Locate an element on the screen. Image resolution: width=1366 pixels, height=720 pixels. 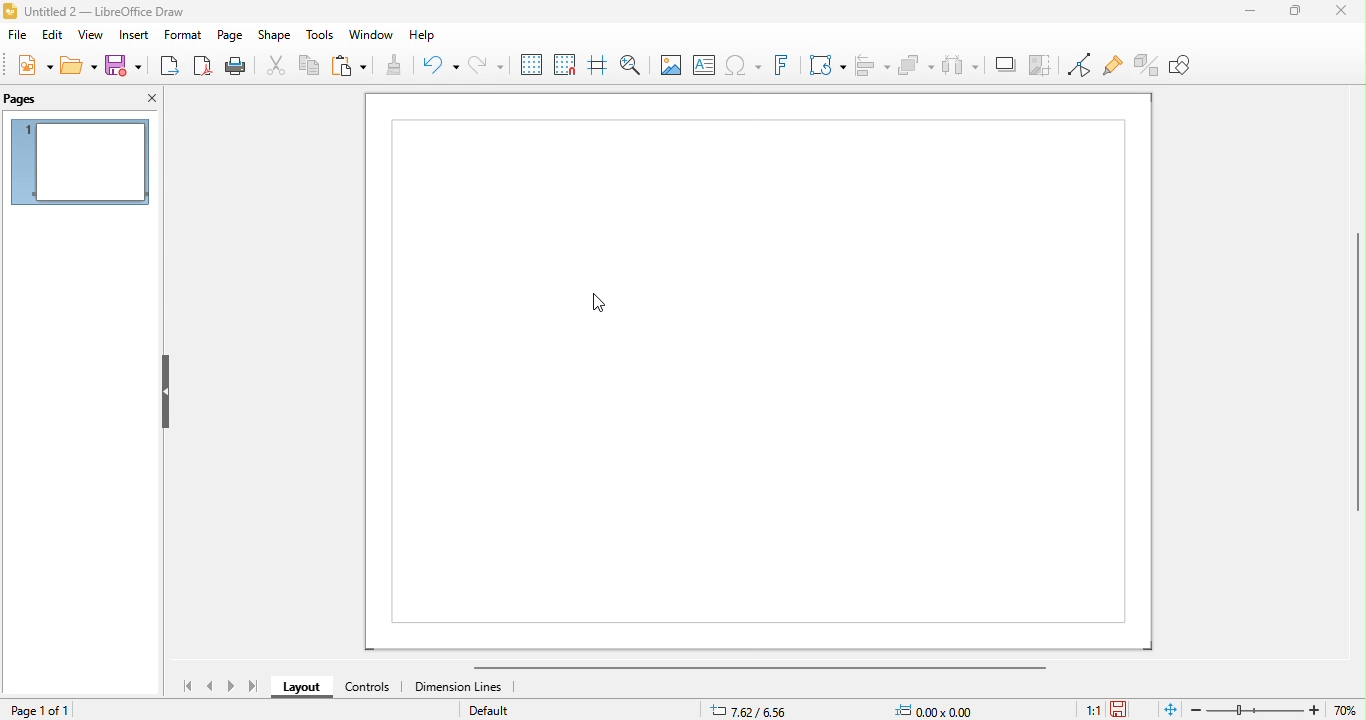
save is located at coordinates (125, 65).